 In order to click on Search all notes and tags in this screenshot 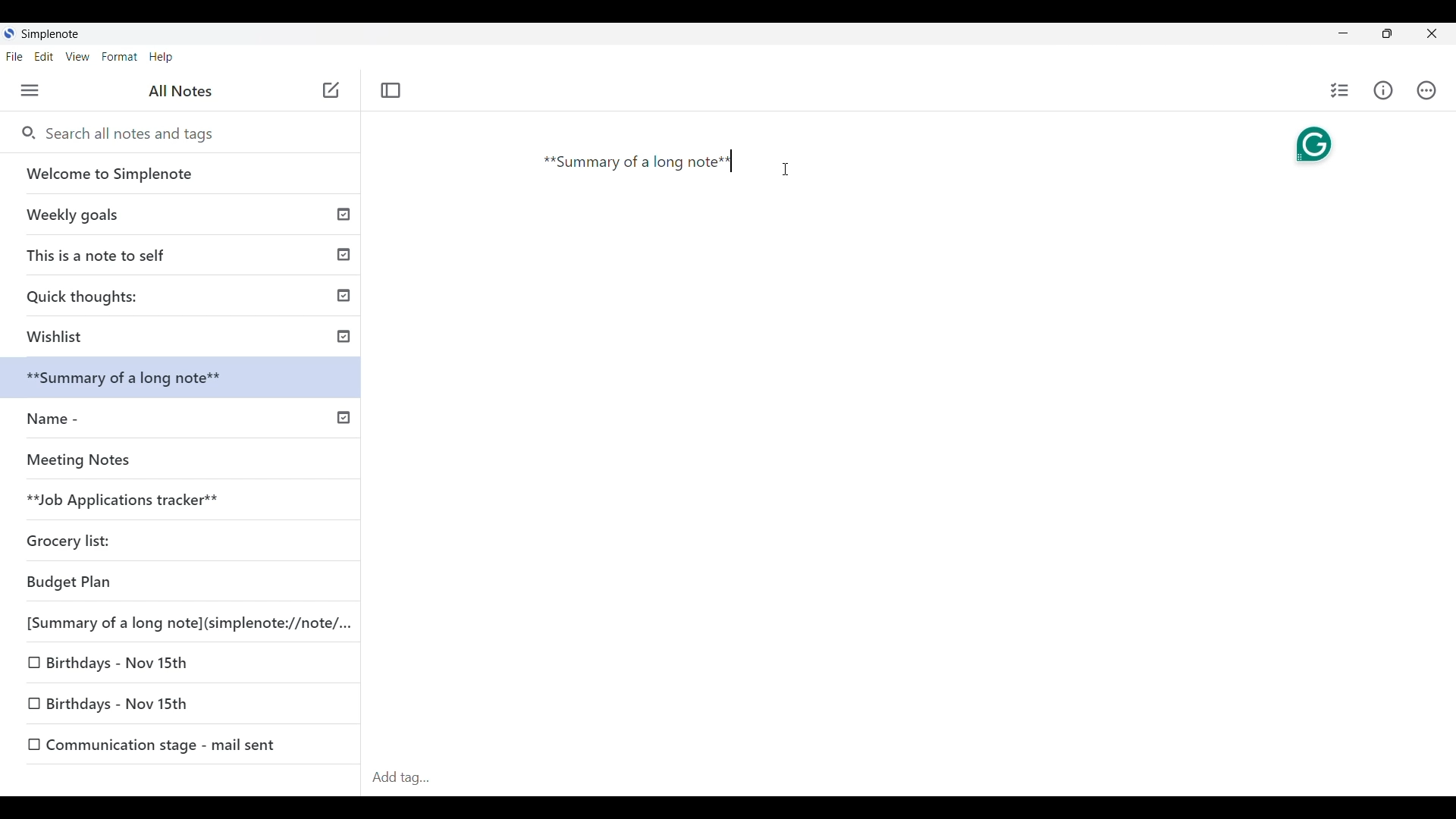, I will do `click(136, 134)`.